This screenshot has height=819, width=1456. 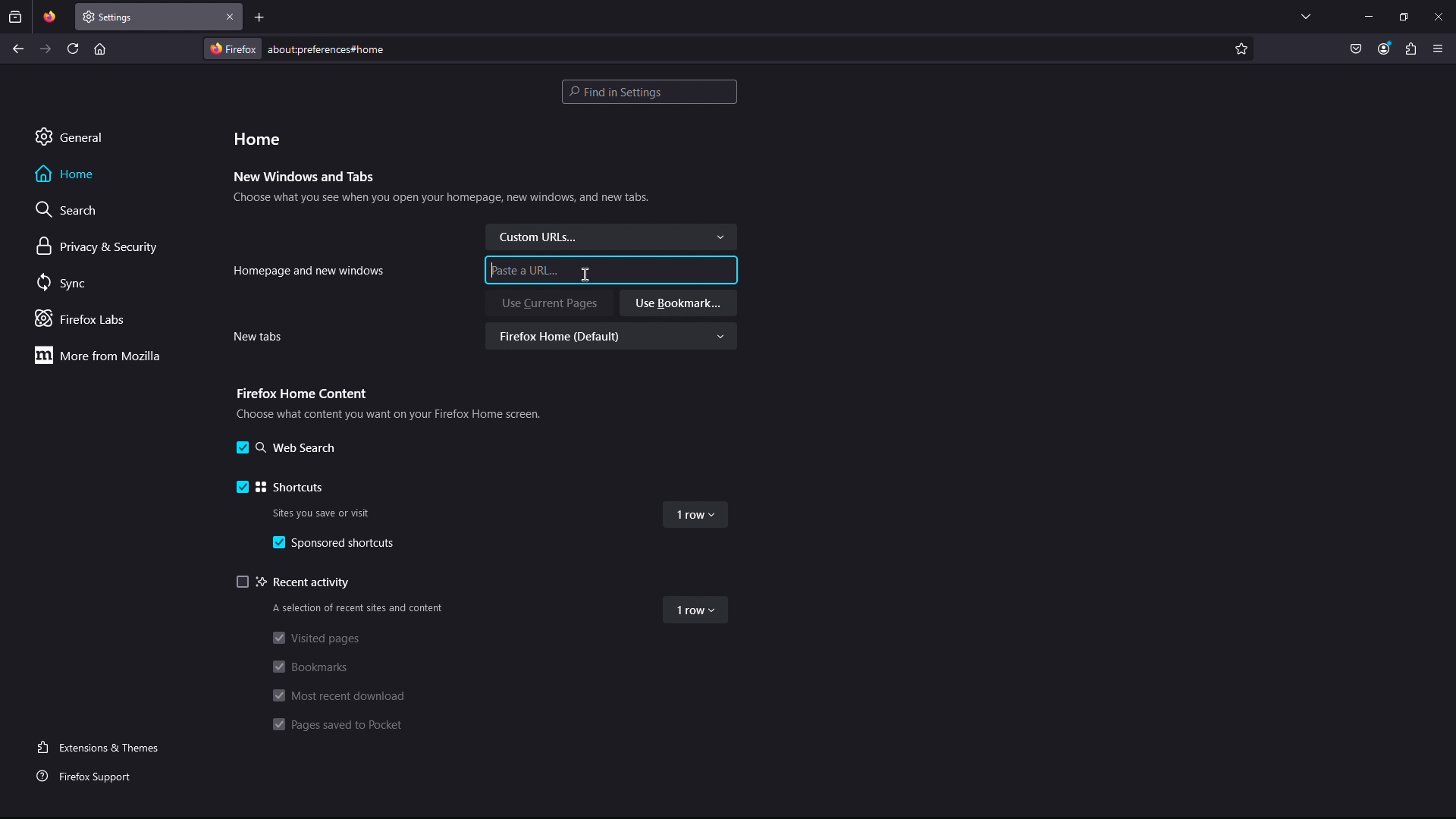 I want to click on Shortcuts, so click(x=281, y=485).